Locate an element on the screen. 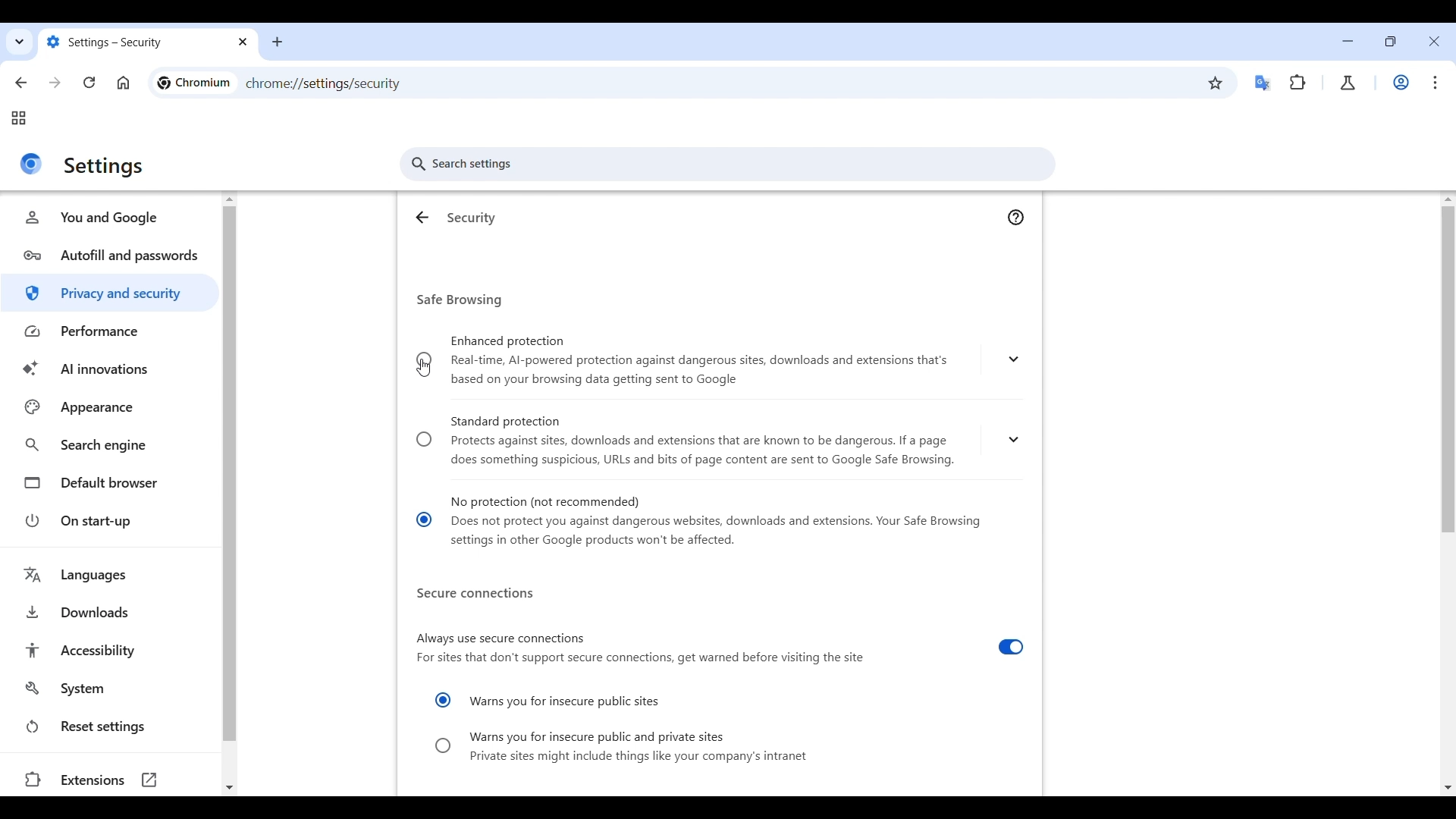  Quick slide to bottom is located at coordinates (1447, 789).